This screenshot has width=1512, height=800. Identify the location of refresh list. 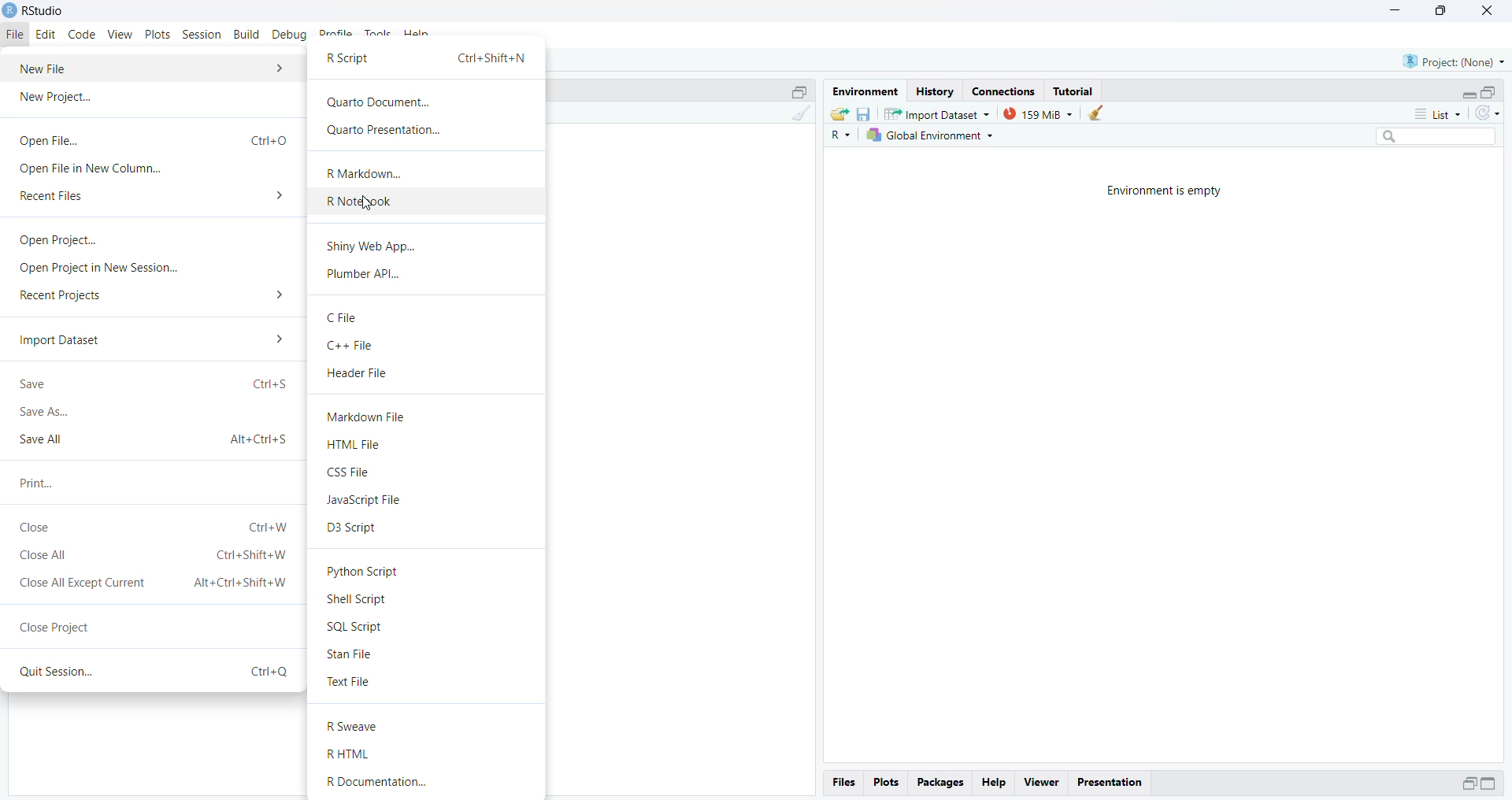
(1487, 114).